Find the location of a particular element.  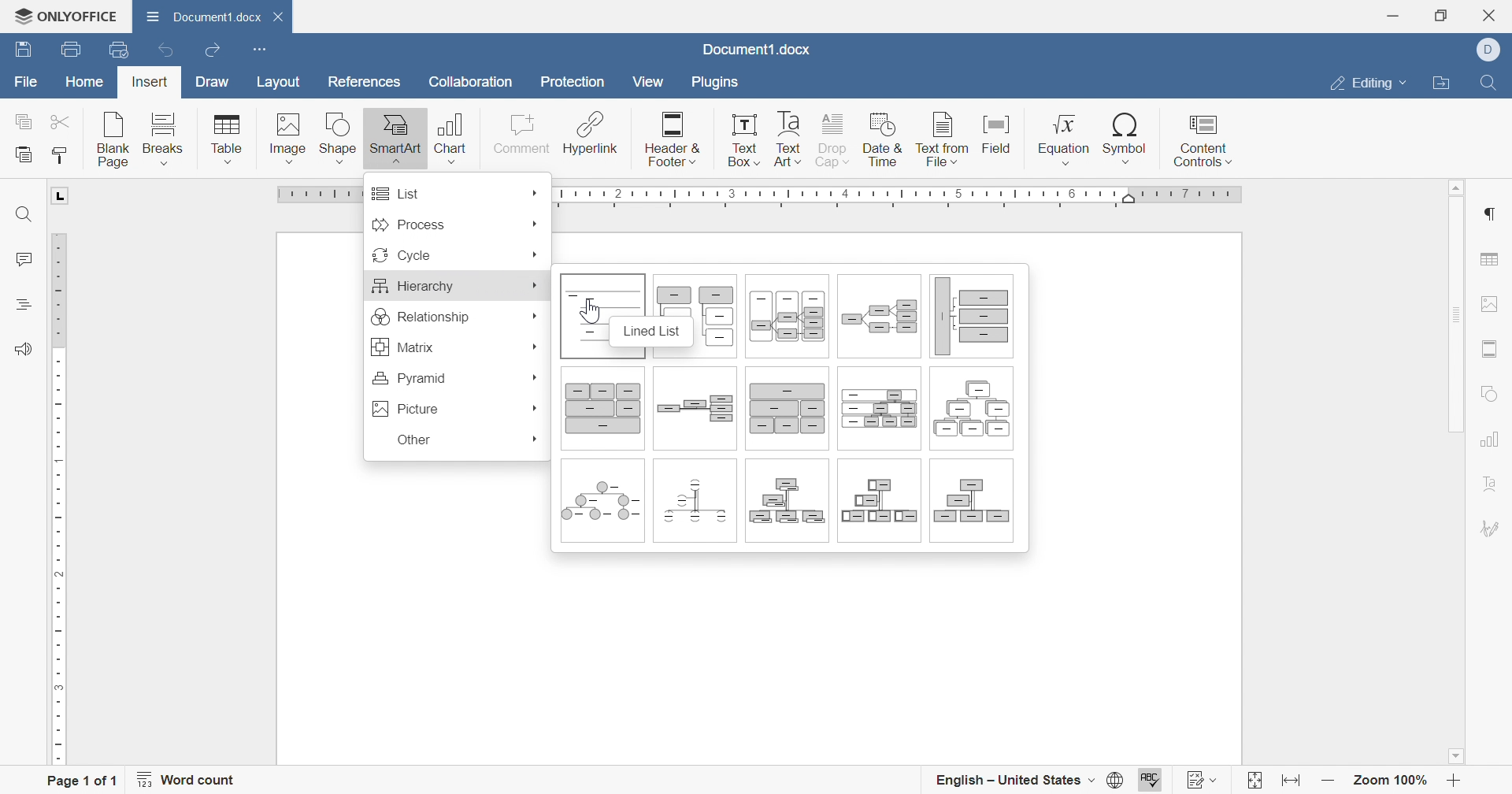

Insert is located at coordinates (150, 83).